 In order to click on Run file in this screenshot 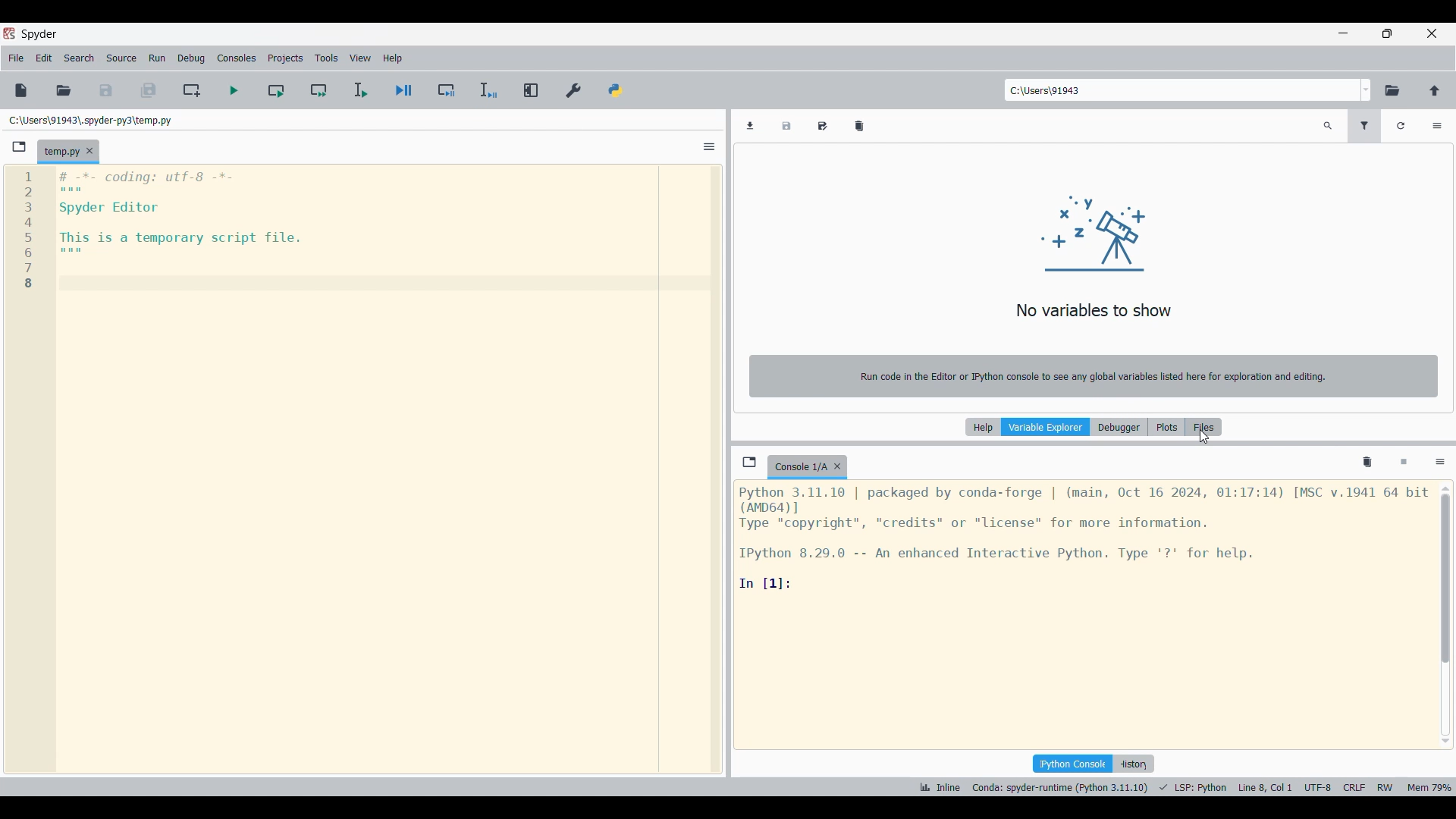, I will do `click(234, 90)`.